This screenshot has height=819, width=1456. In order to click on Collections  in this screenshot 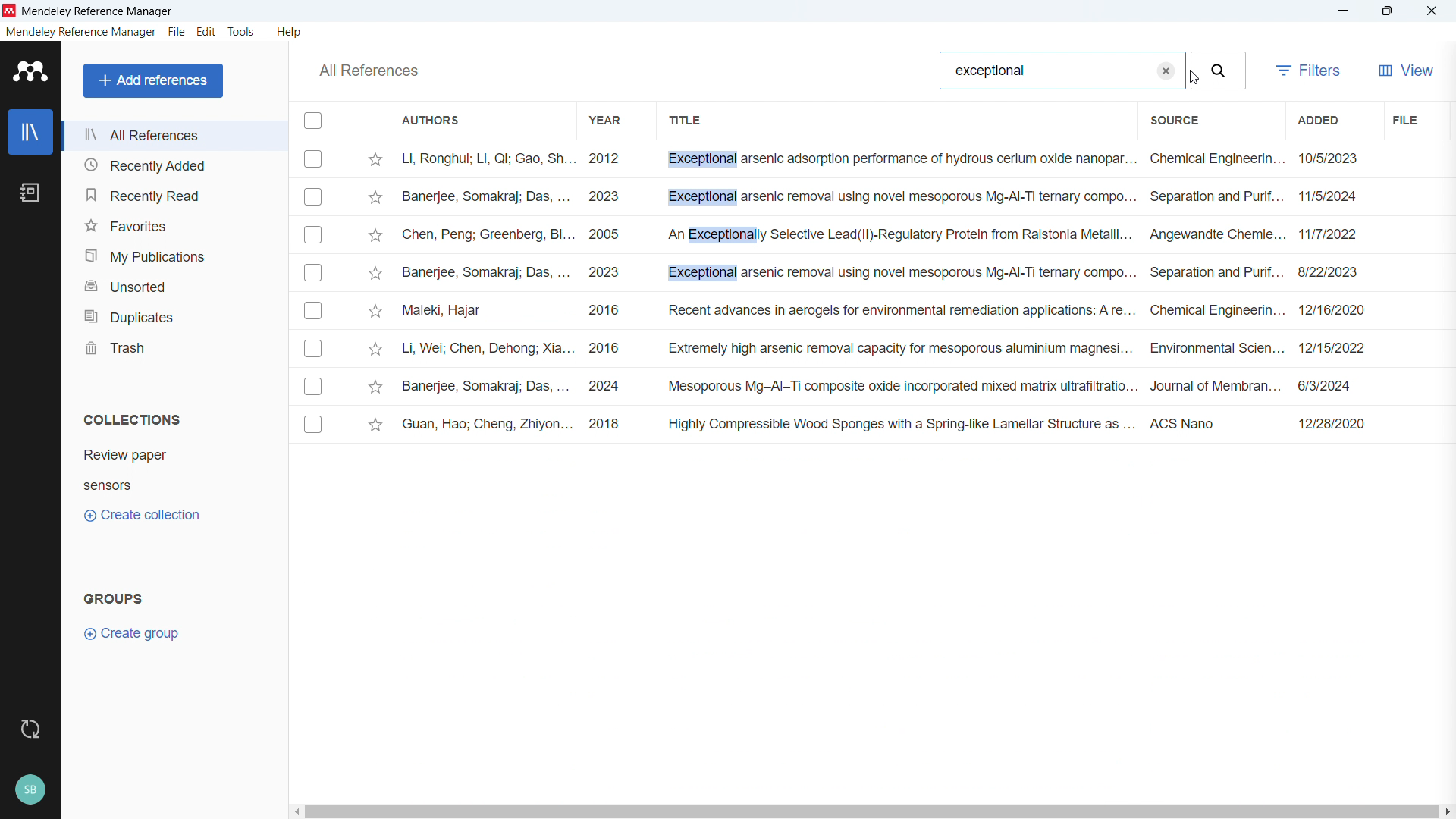, I will do `click(133, 418)`.